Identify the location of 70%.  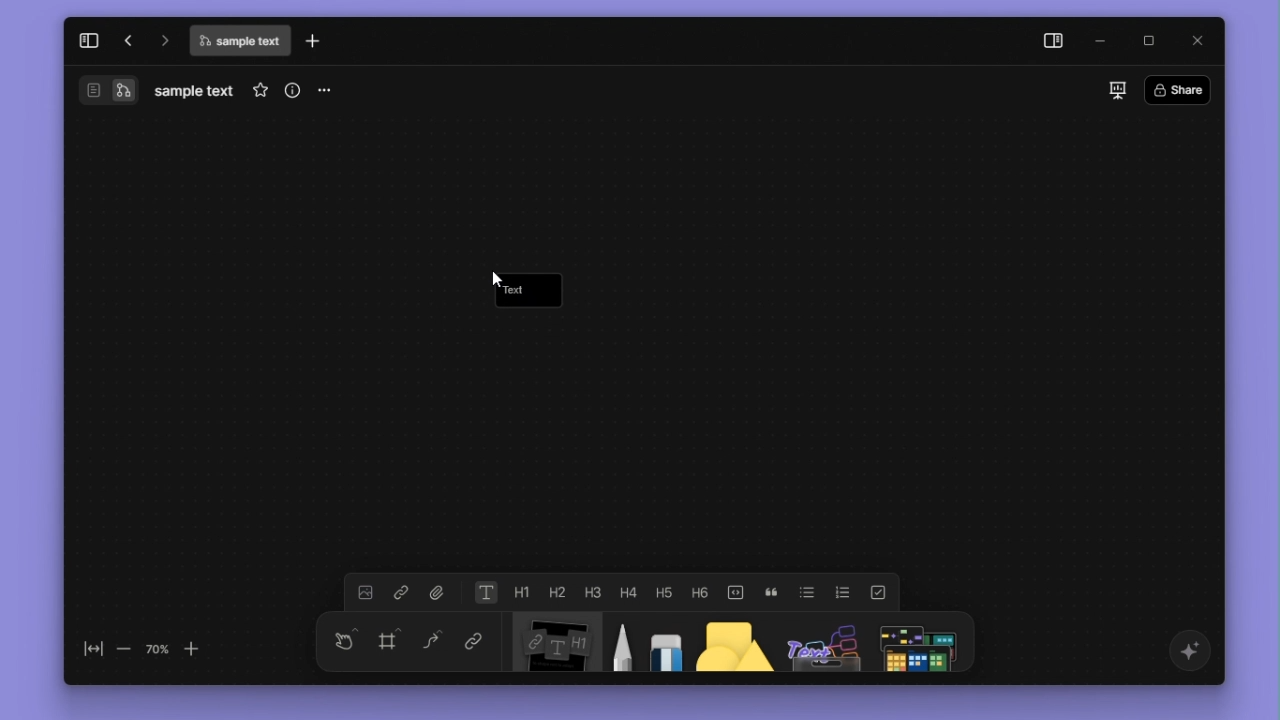
(157, 648).